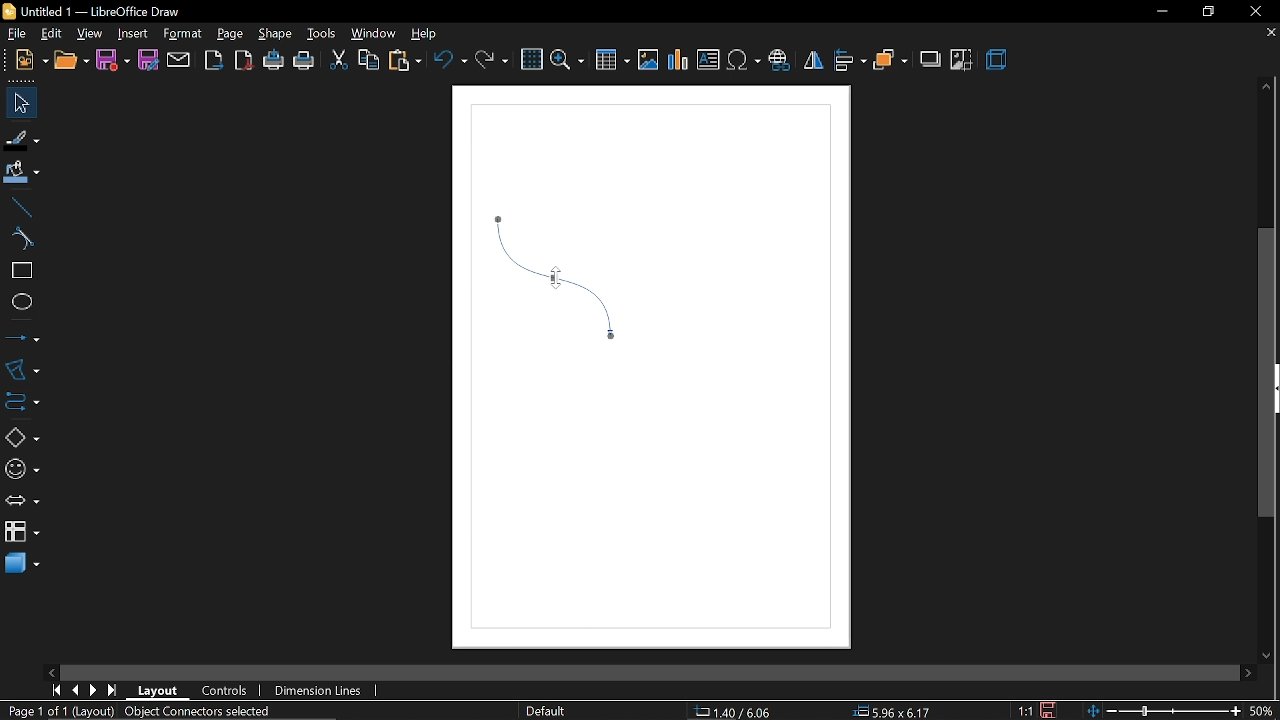  What do you see at coordinates (567, 60) in the screenshot?
I see `zoom` at bounding box center [567, 60].